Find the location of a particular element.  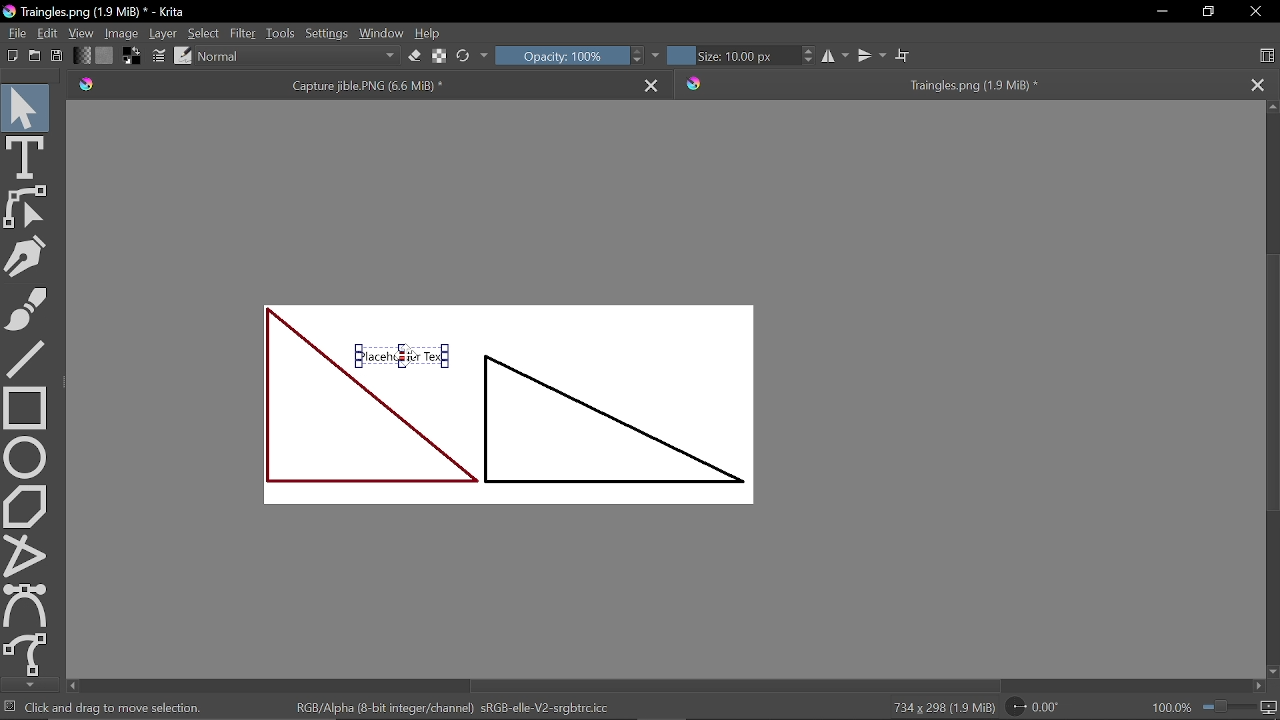

Layer is located at coordinates (163, 33).